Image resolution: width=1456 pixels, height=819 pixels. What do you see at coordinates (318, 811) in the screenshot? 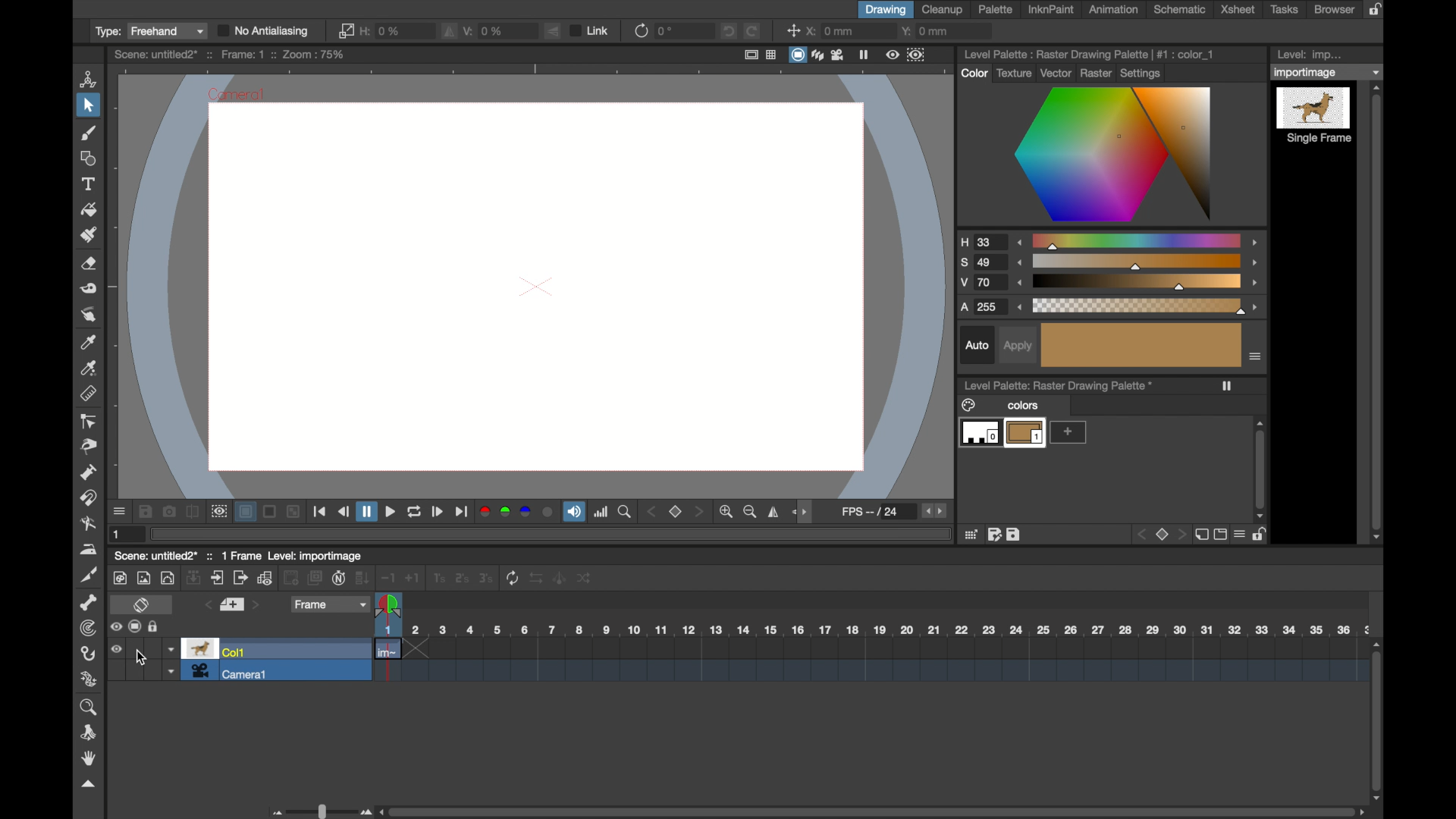
I see `slider` at bounding box center [318, 811].